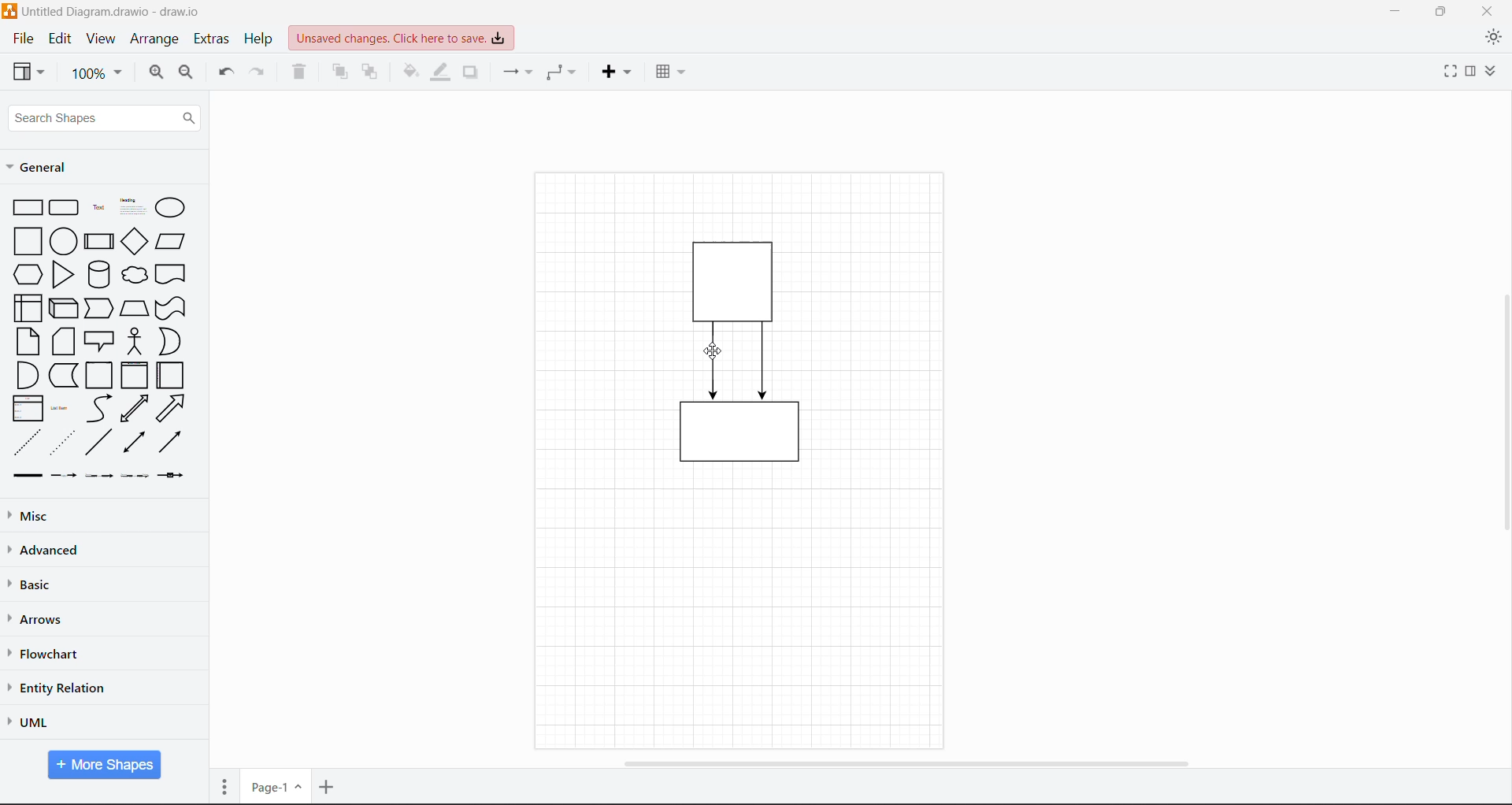  Describe the element at coordinates (26, 375) in the screenshot. I see `And` at that location.